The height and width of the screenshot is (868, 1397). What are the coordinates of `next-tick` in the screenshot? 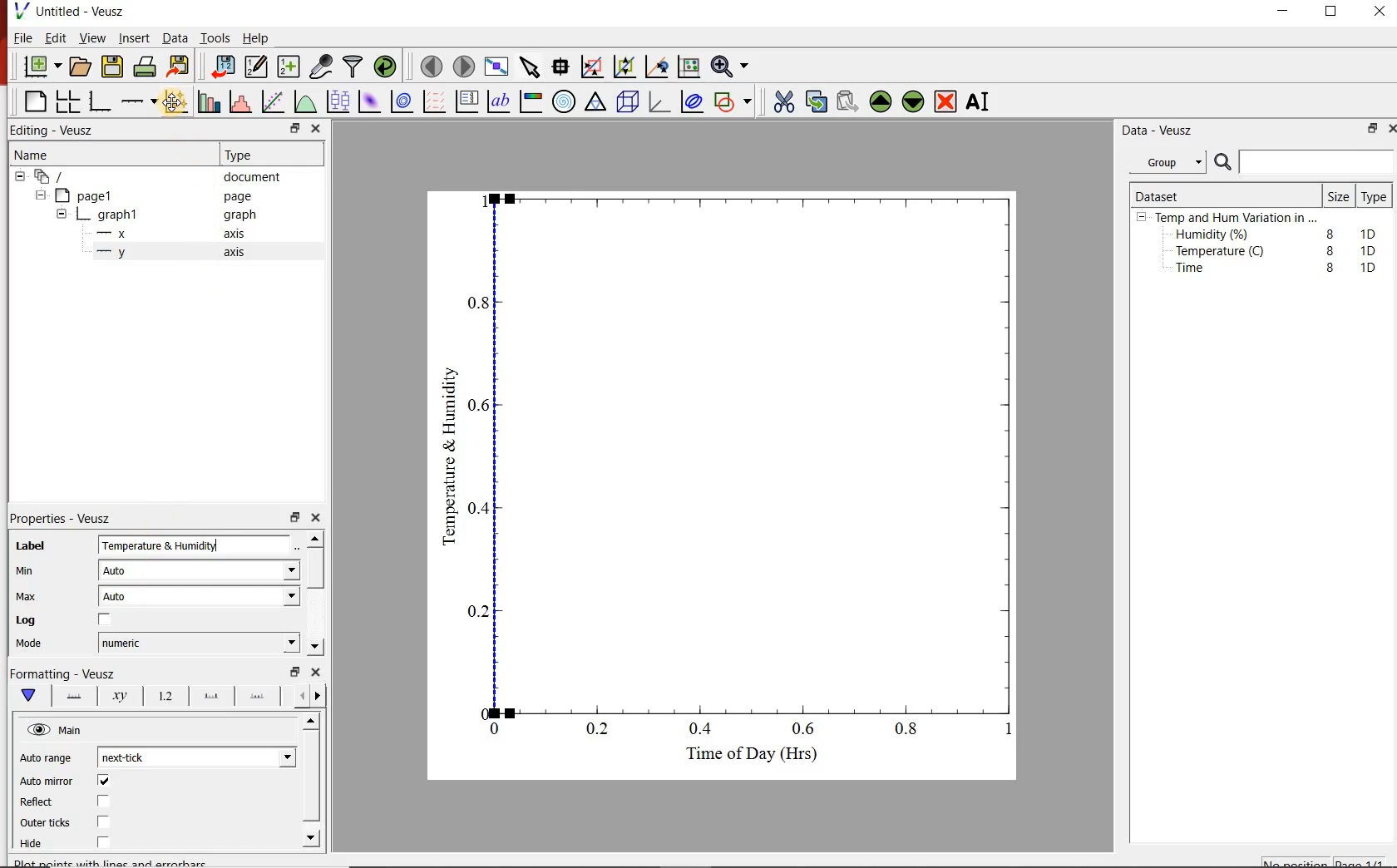 It's located at (136, 757).